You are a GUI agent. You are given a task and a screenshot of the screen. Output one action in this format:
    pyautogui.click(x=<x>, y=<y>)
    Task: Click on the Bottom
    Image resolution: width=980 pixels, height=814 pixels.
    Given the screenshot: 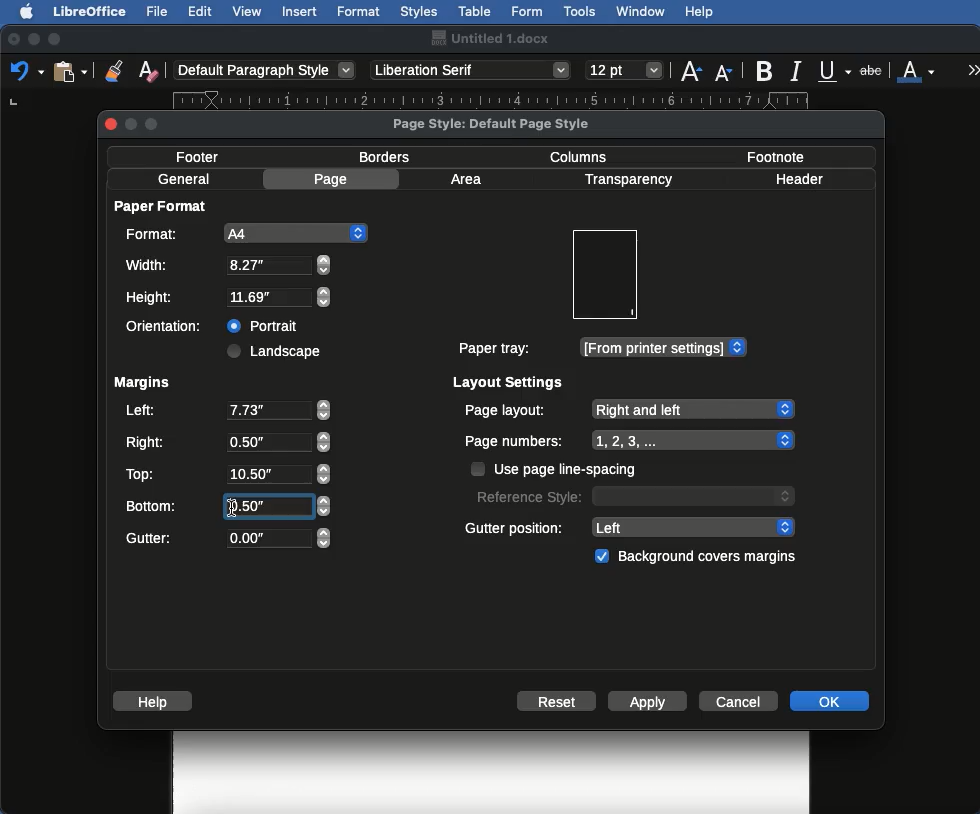 What is the action you would take?
    pyautogui.click(x=227, y=504)
    